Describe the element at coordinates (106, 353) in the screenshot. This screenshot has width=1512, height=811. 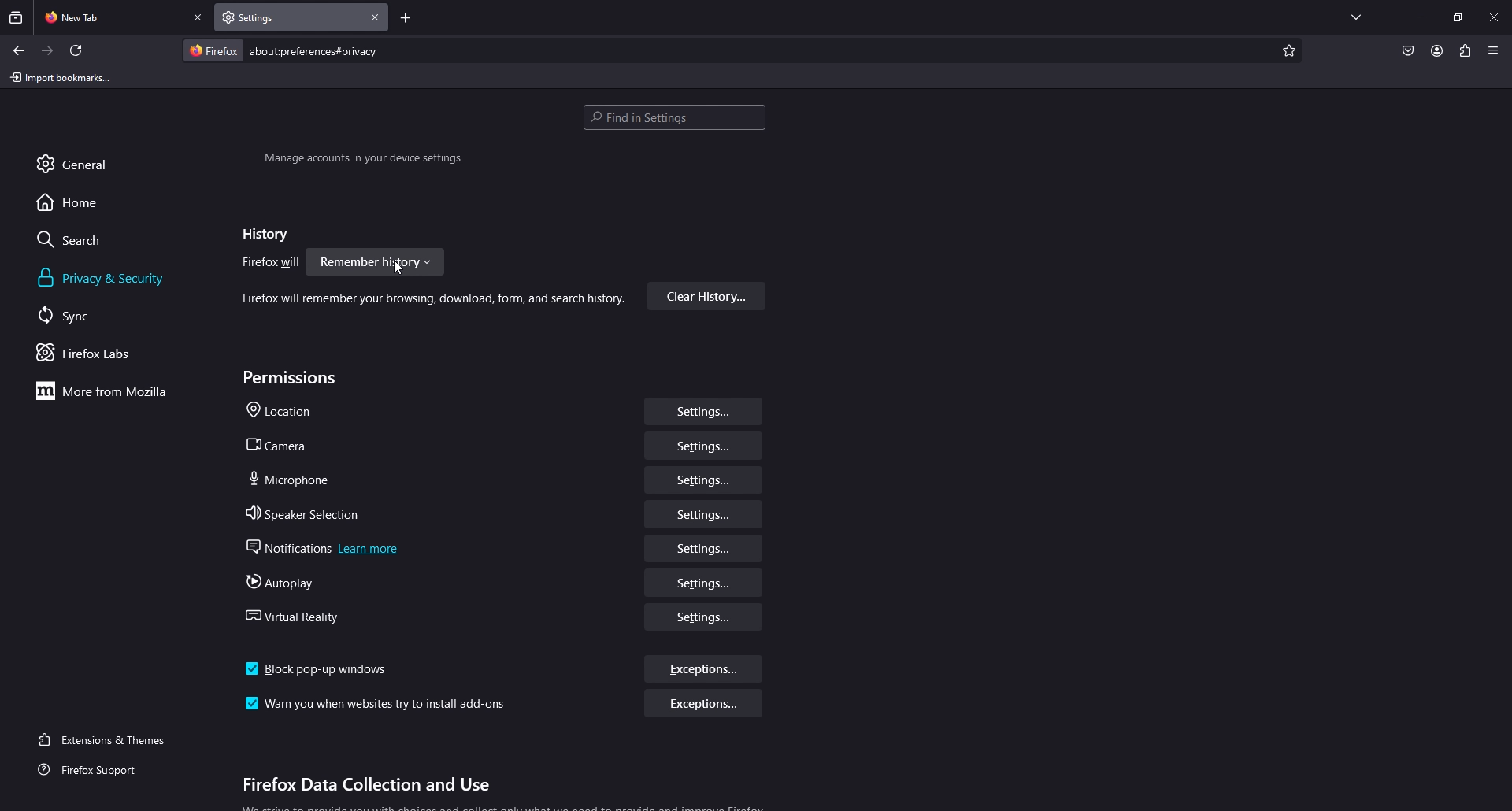
I see `firefox labs` at that location.